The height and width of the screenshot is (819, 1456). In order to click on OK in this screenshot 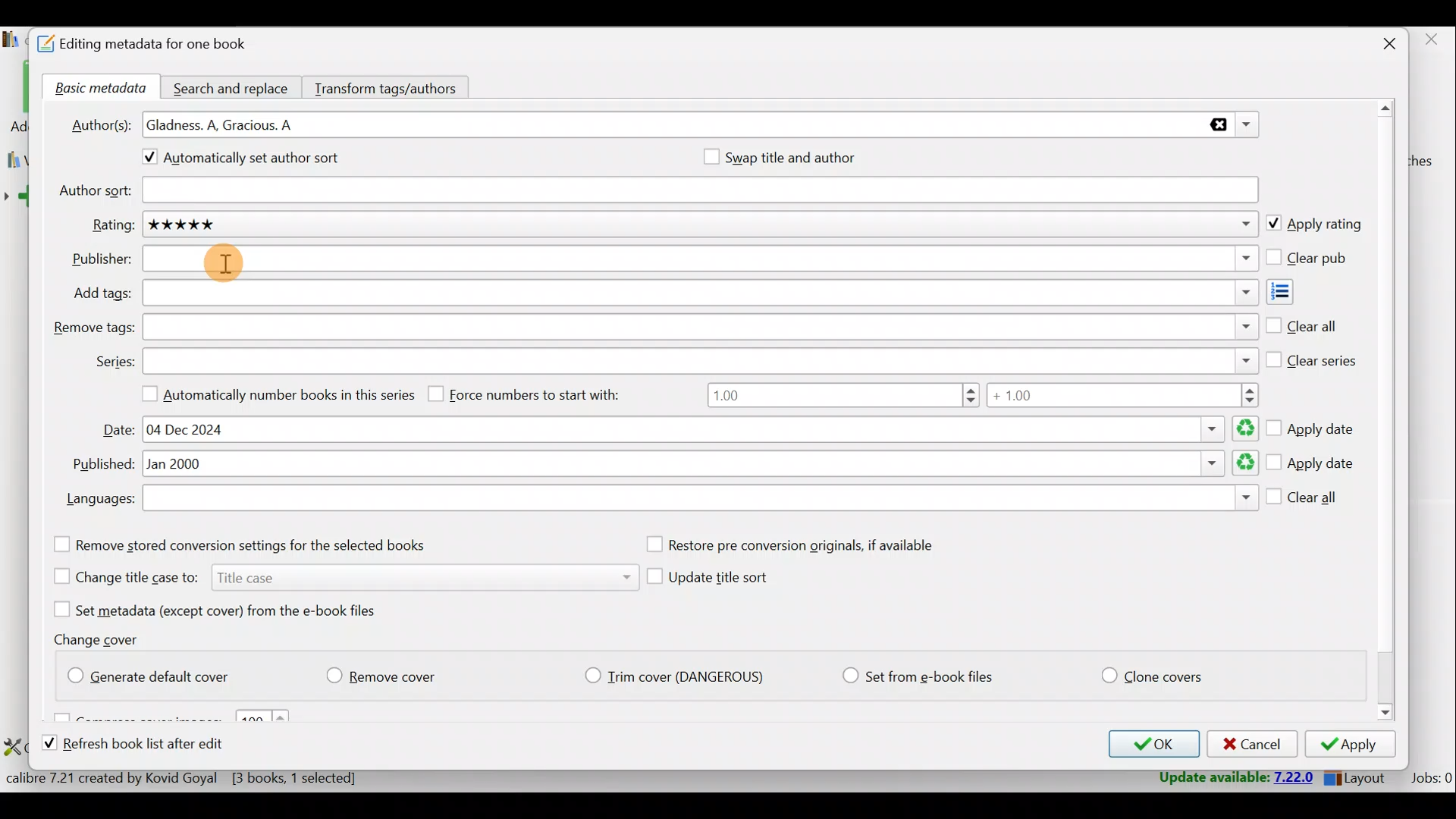, I will do `click(1150, 744)`.